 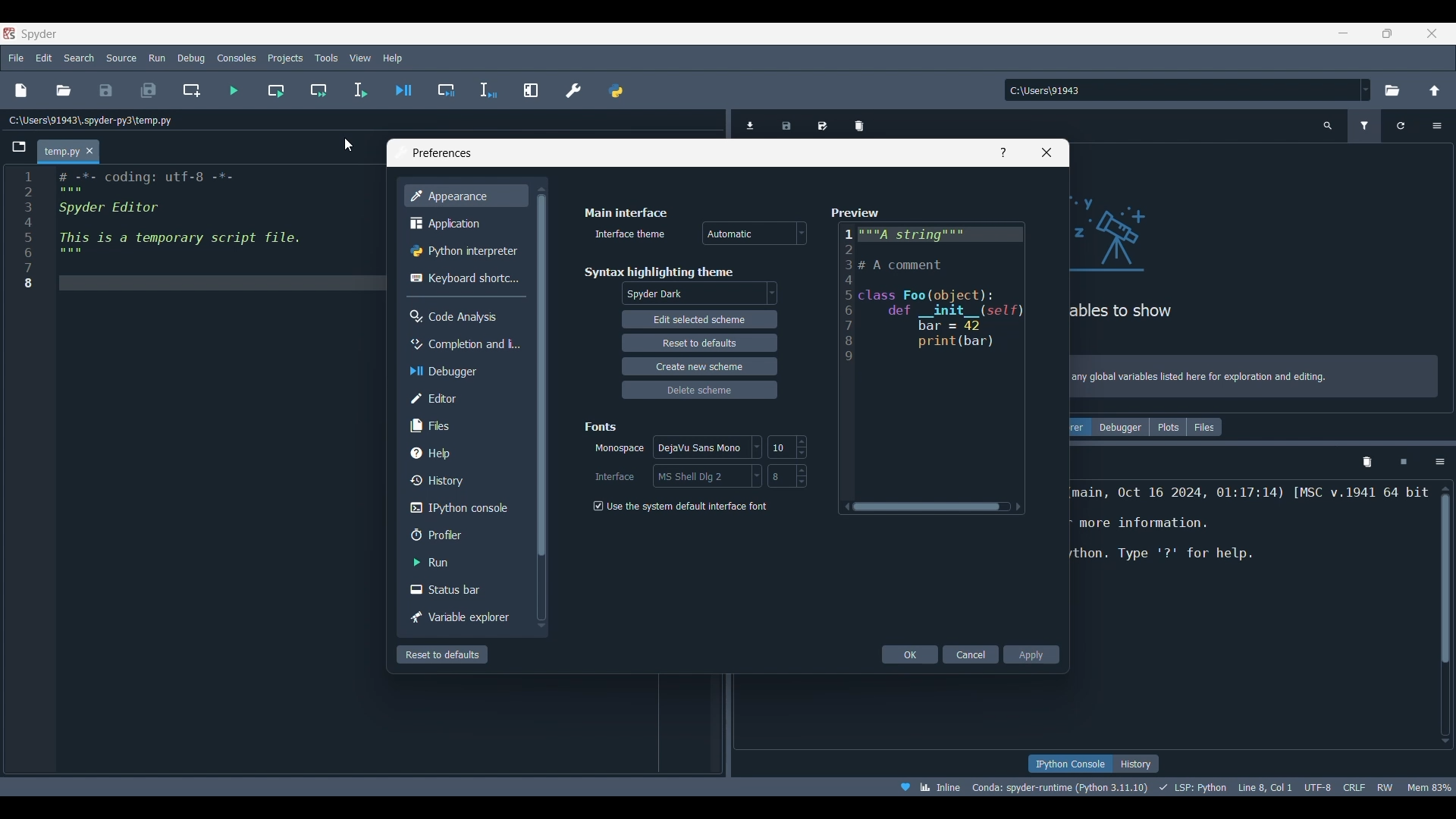 I want to click on Interface theme, so click(x=626, y=237).